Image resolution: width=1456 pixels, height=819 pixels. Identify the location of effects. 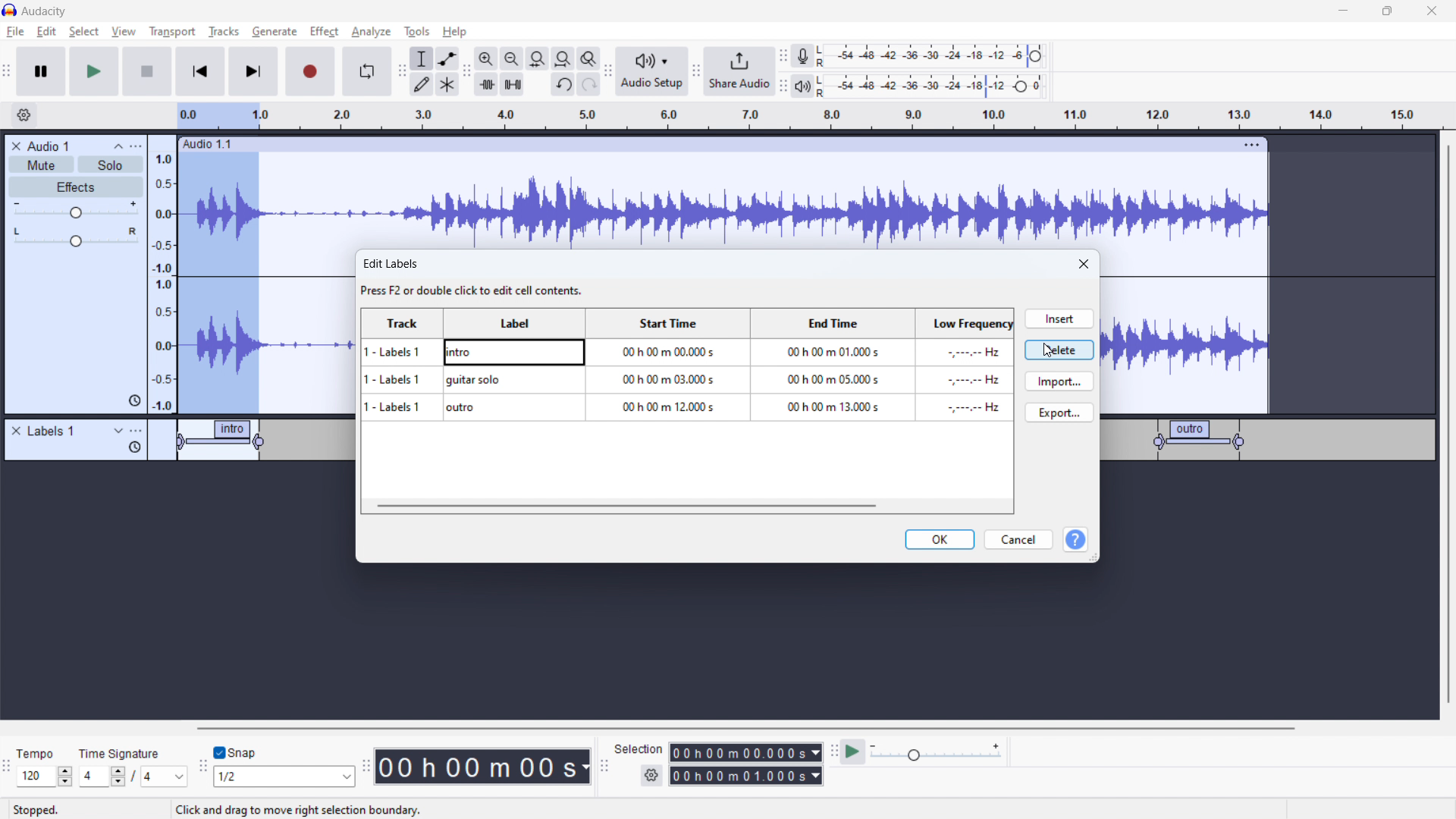
(77, 187).